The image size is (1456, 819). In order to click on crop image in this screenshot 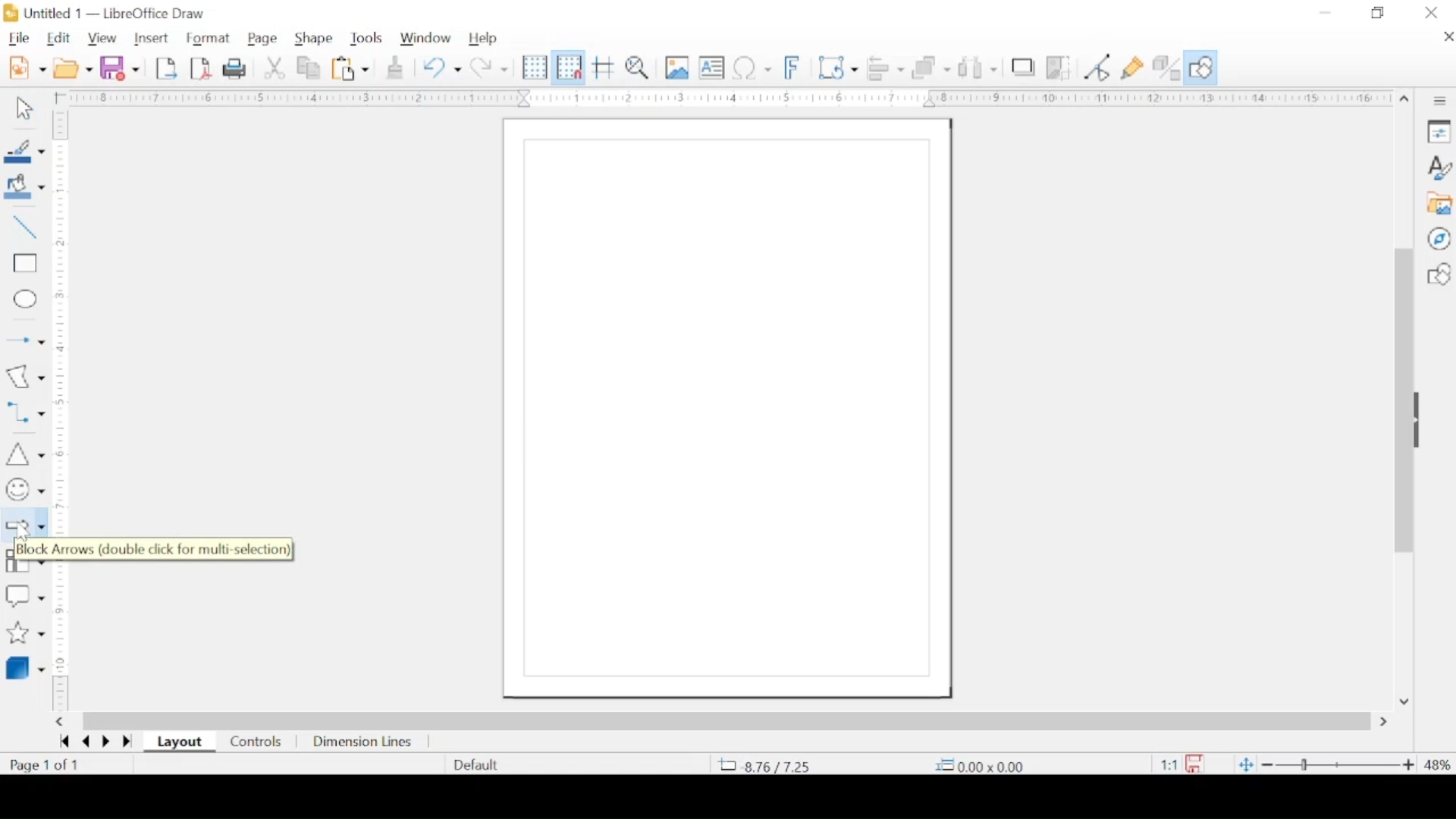, I will do `click(1059, 67)`.